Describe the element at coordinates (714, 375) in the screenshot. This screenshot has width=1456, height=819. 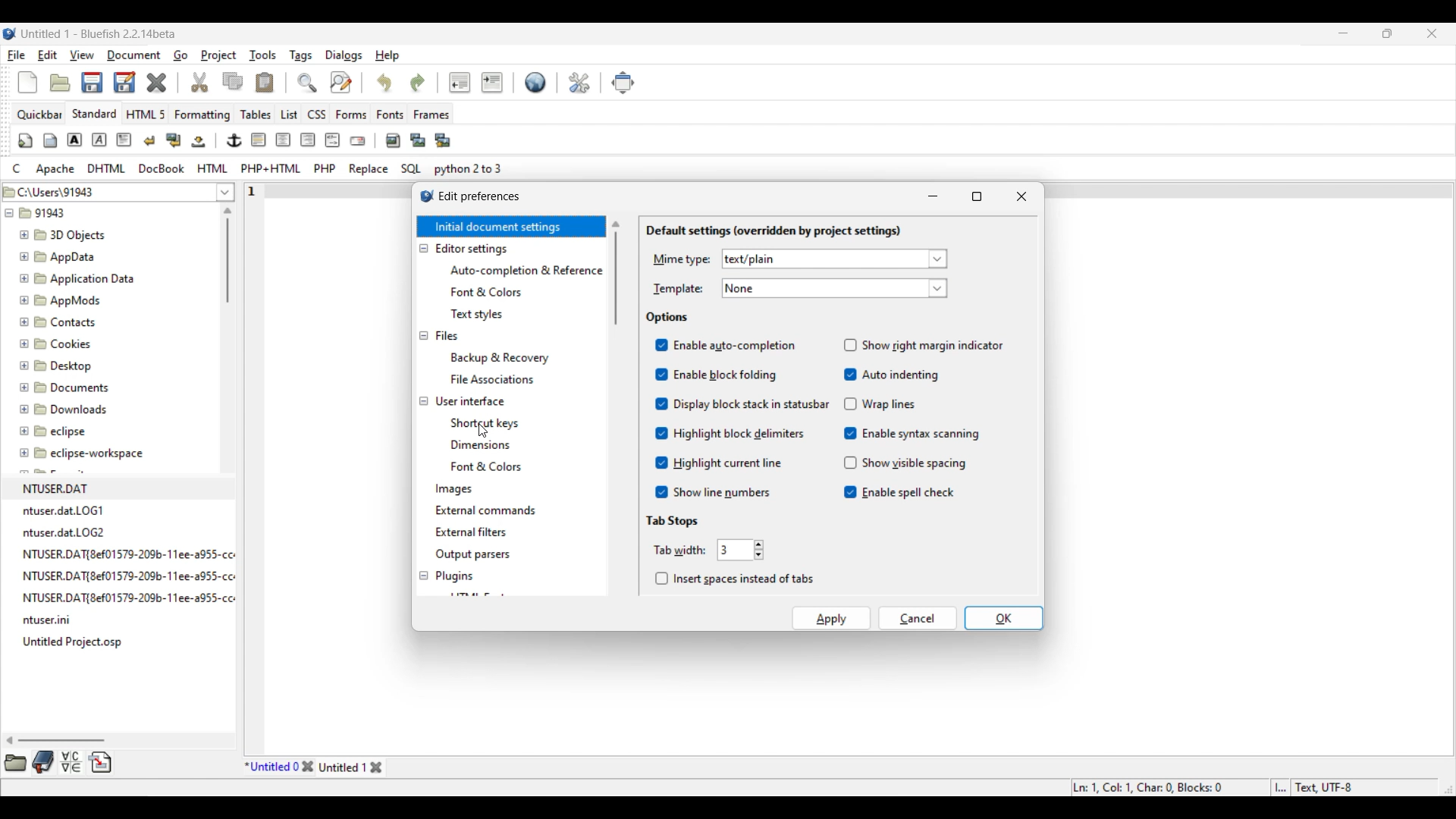
I see `8 Enable block folding` at that location.